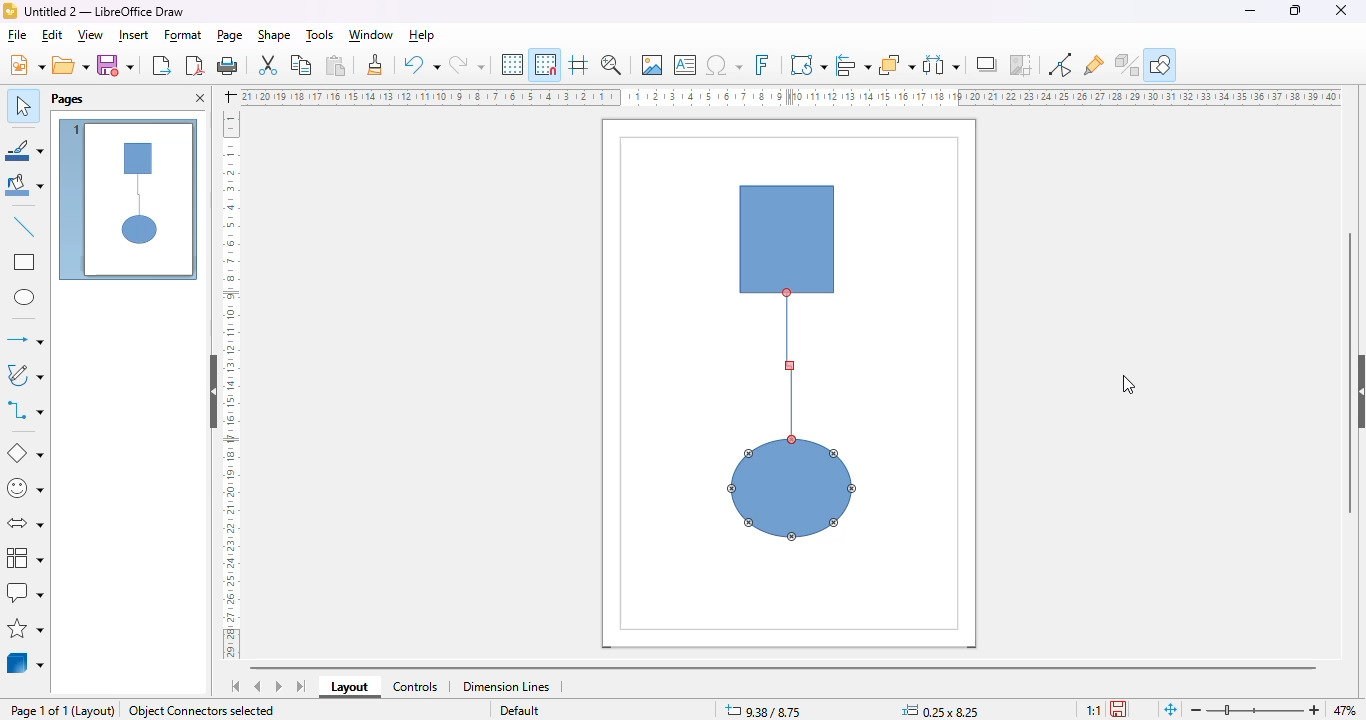 Image resolution: width=1366 pixels, height=720 pixels. I want to click on export directly as PDF, so click(196, 65).